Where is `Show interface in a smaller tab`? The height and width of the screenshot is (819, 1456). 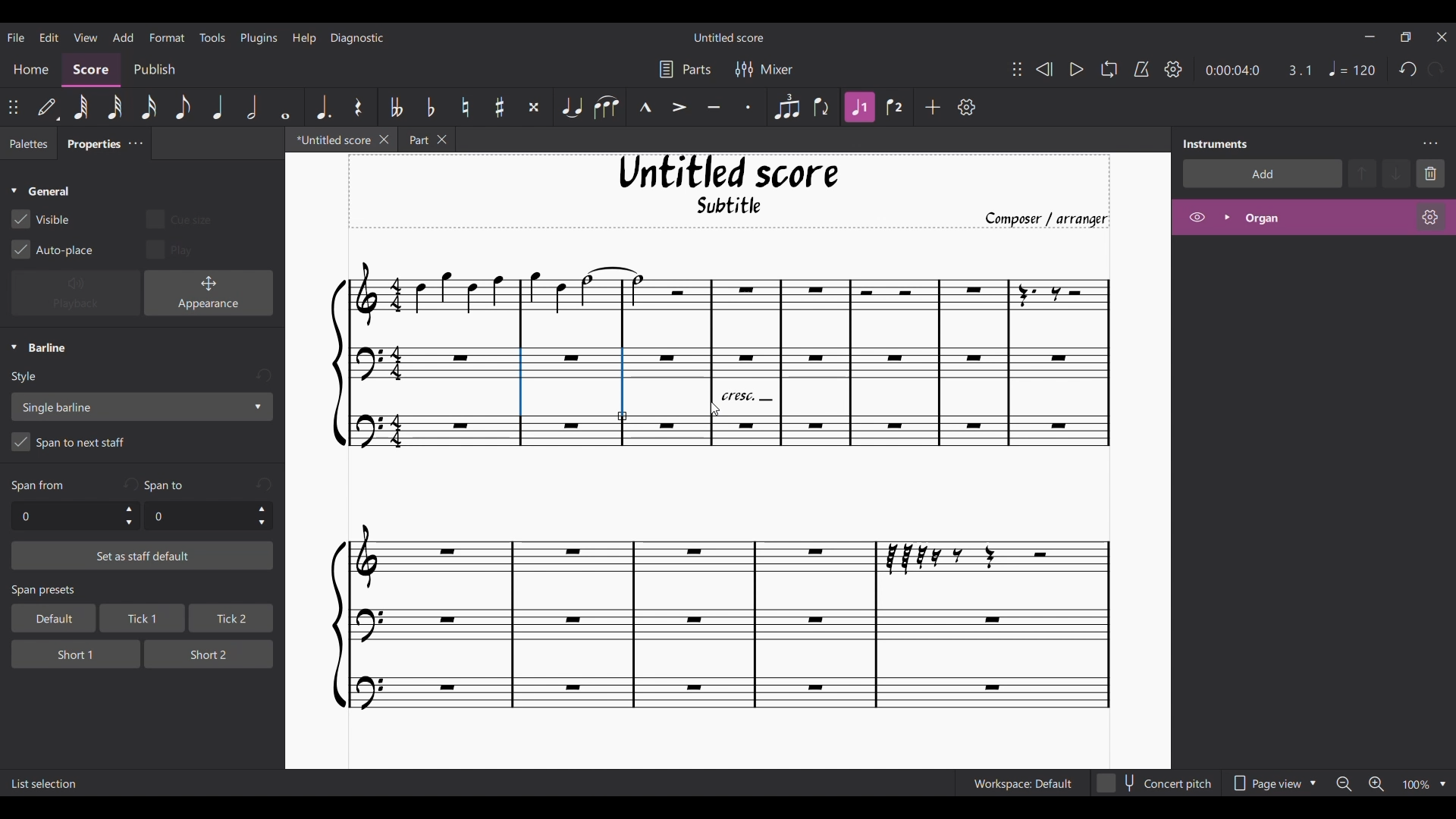 Show interface in a smaller tab is located at coordinates (1405, 37).